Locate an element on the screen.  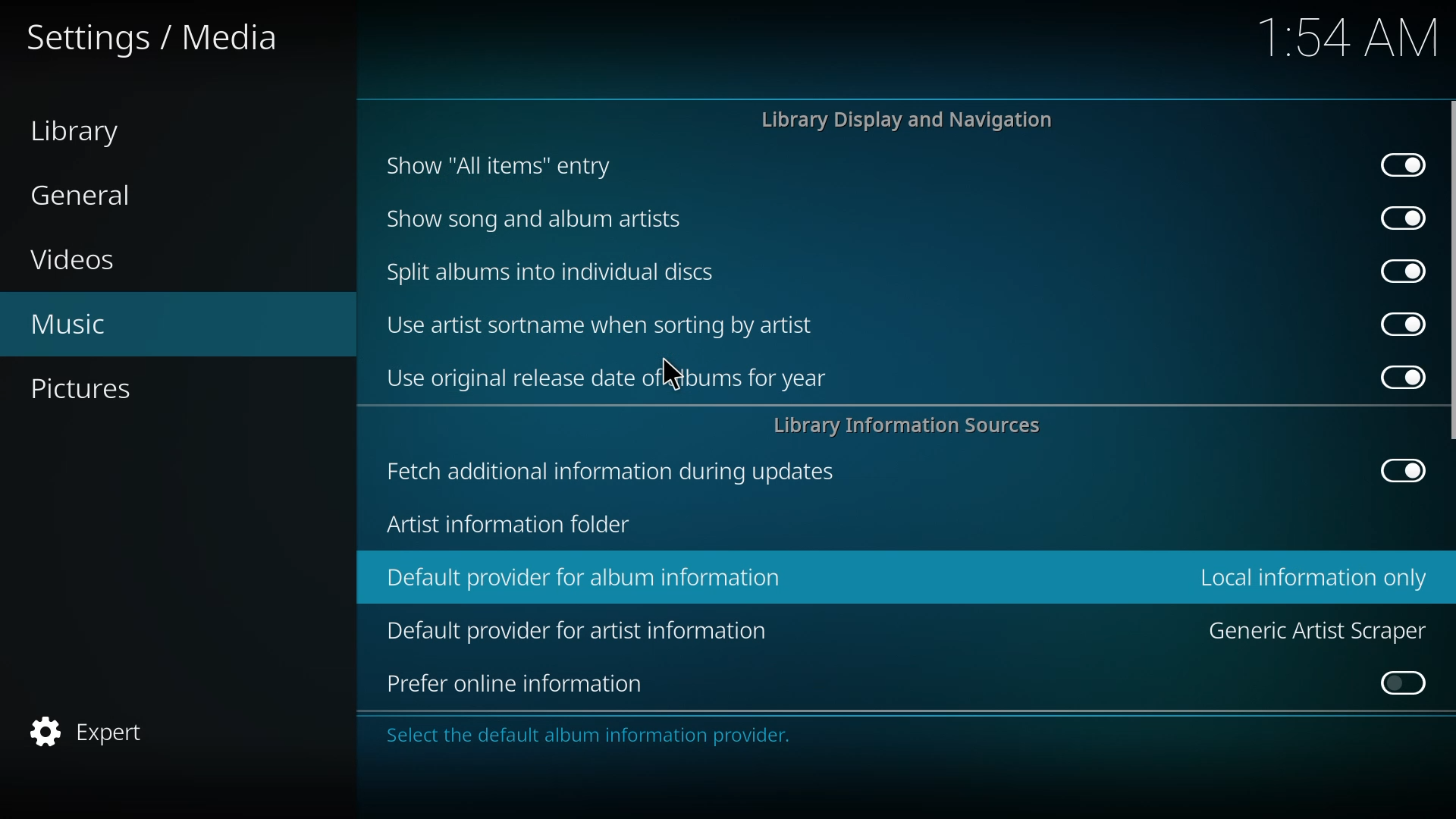
library display and navigation is located at coordinates (907, 117).